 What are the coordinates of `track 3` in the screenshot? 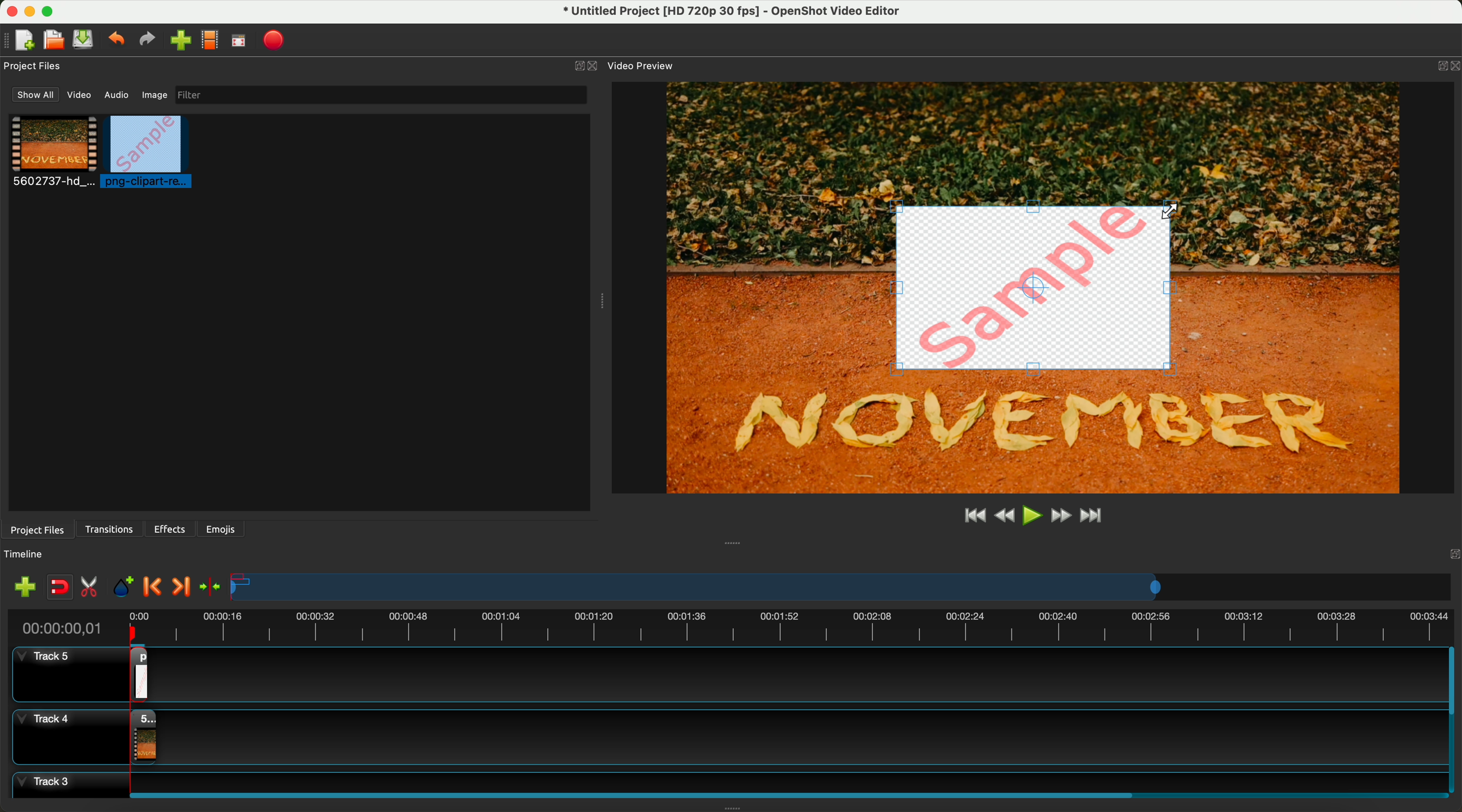 It's located at (724, 780).